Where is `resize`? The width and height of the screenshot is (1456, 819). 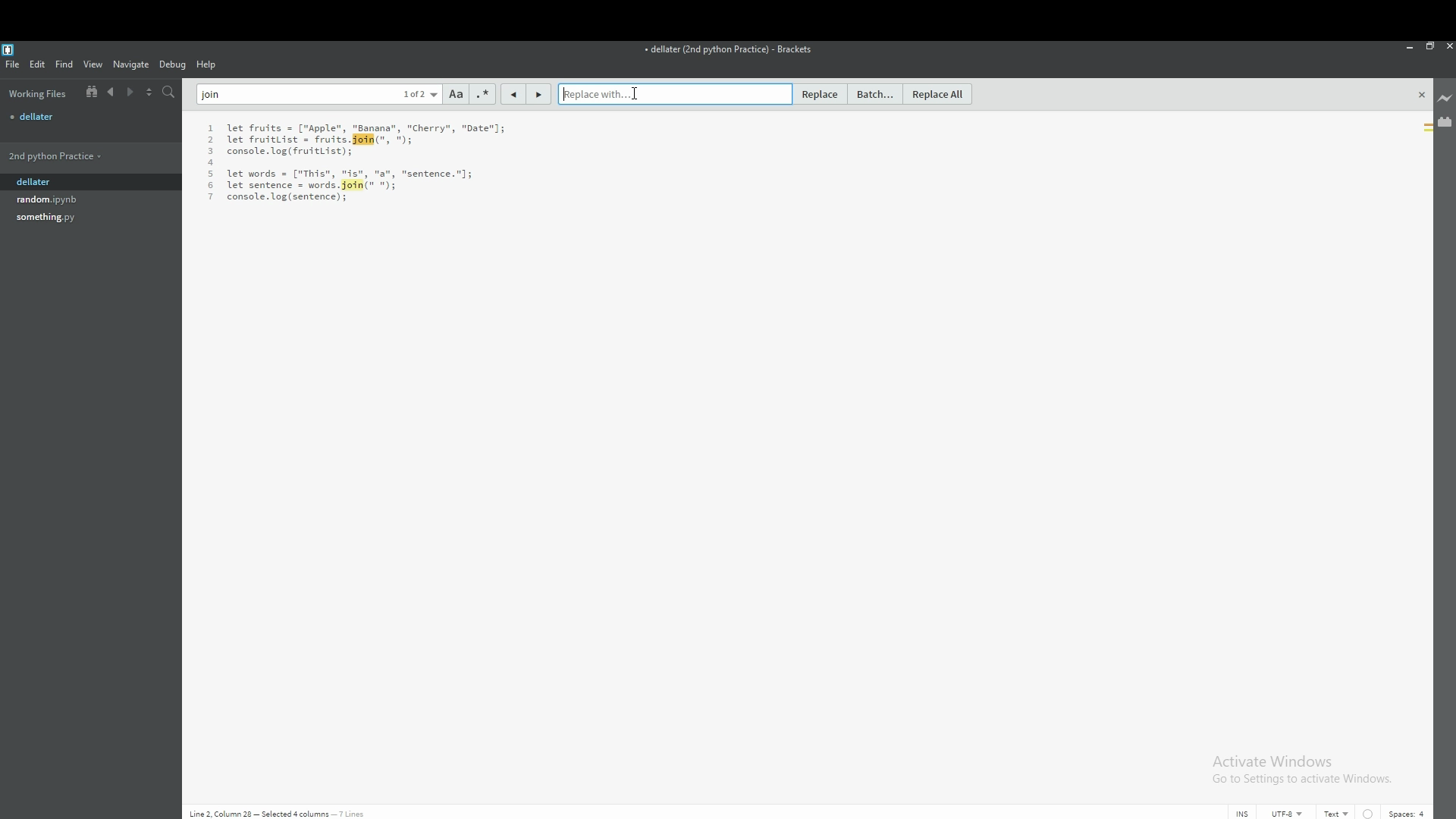
resize is located at coordinates (1429, 45).